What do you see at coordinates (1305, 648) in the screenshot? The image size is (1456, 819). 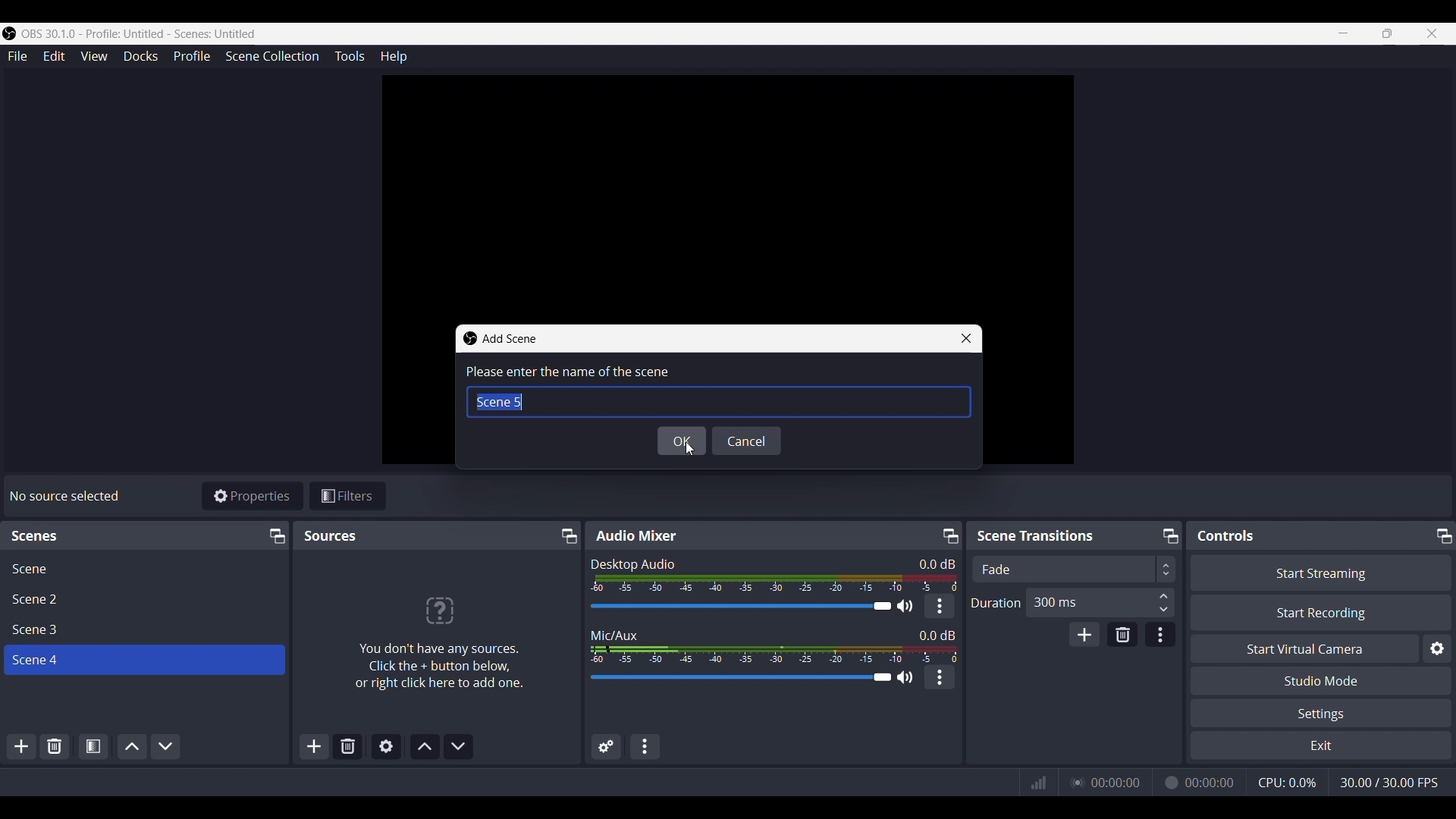 I see `Start Virtual Camera` at bounding box center [1305, 648].